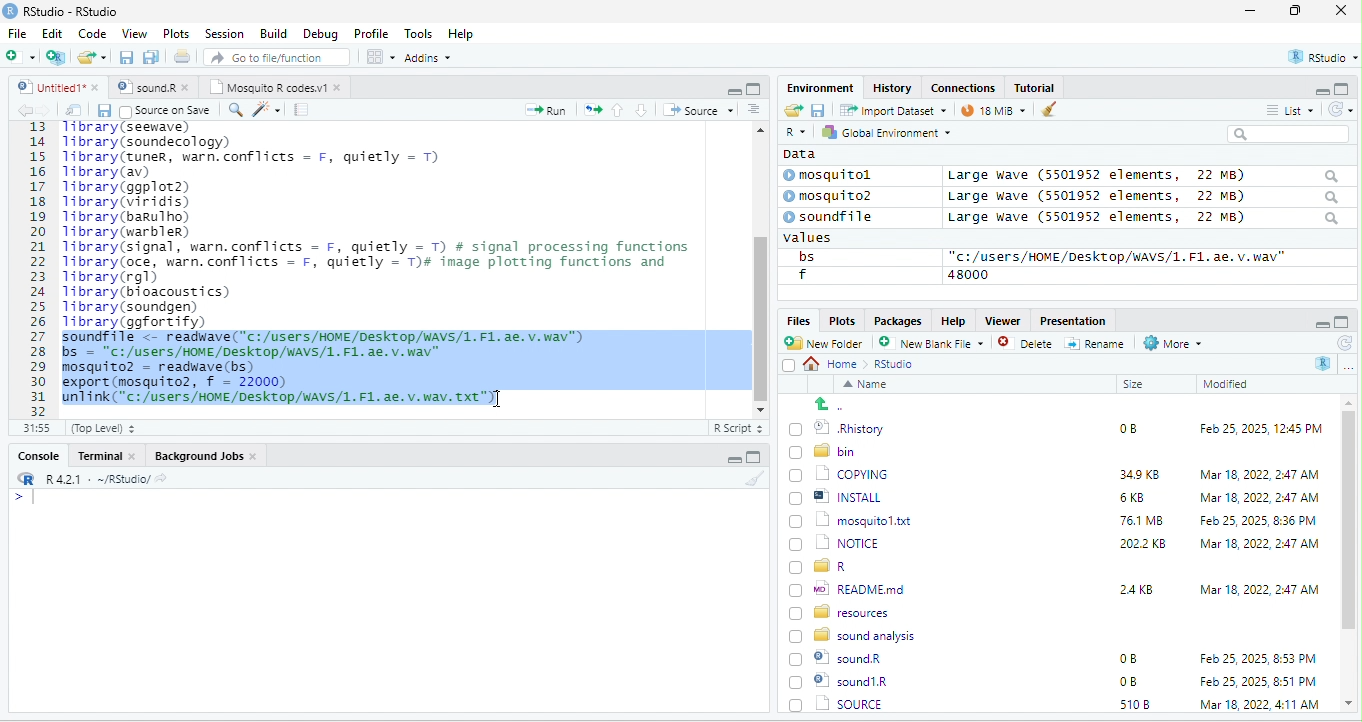  I want to click on f, so click(802, 275).